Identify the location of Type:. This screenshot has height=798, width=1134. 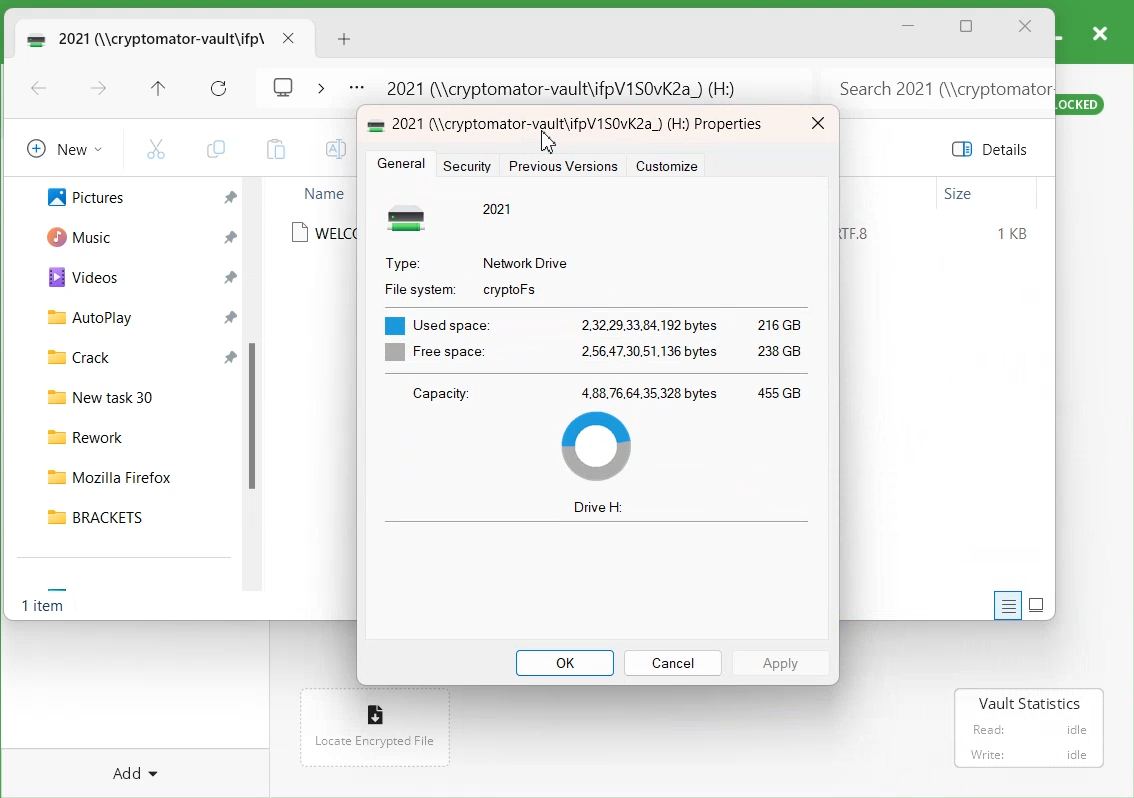
(402, 261).